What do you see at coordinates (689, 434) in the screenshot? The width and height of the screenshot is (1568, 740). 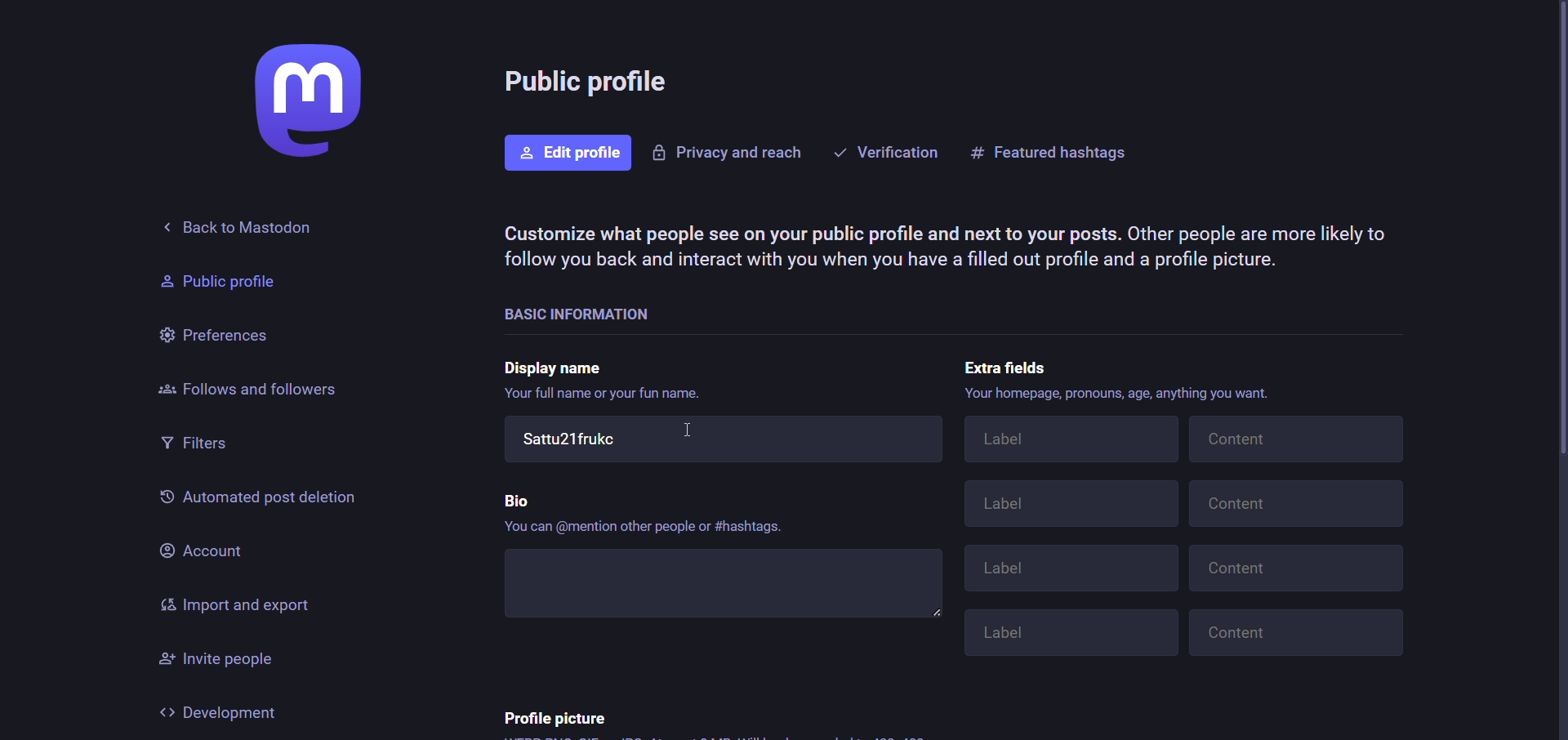 I see `cursor` at bounding box center [689, 434].